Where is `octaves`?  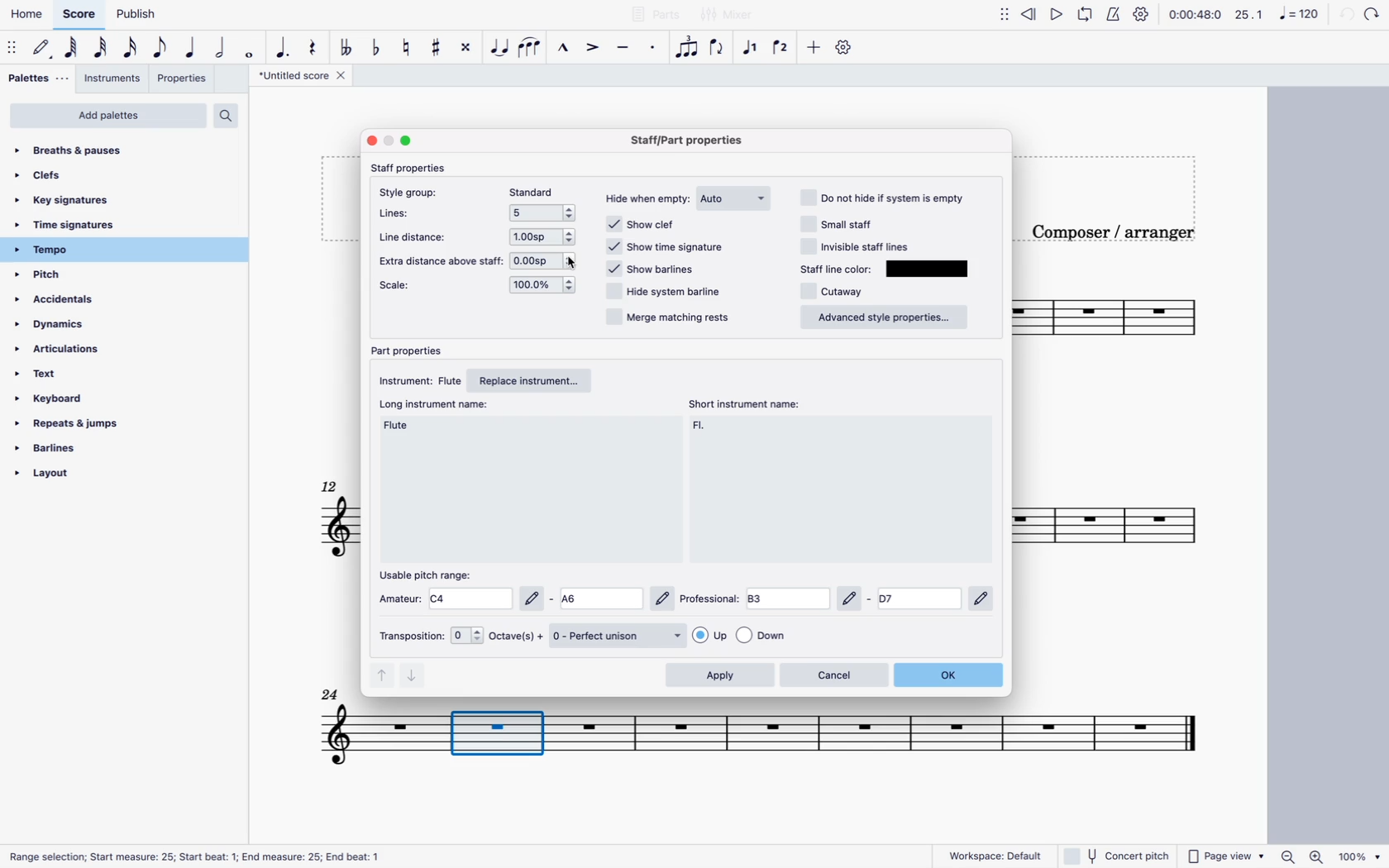 octaves is located at coordinates (517, 637).